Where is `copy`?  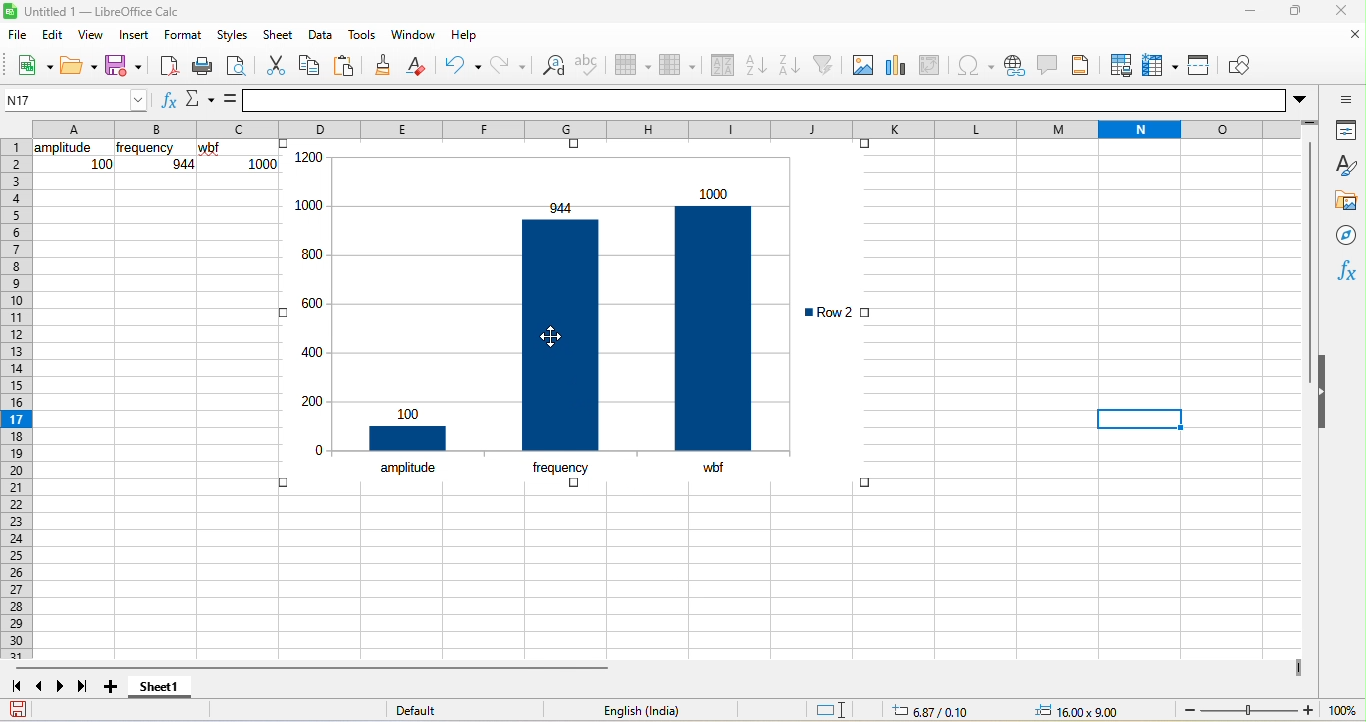
copy is located at coordinates (310, 70).